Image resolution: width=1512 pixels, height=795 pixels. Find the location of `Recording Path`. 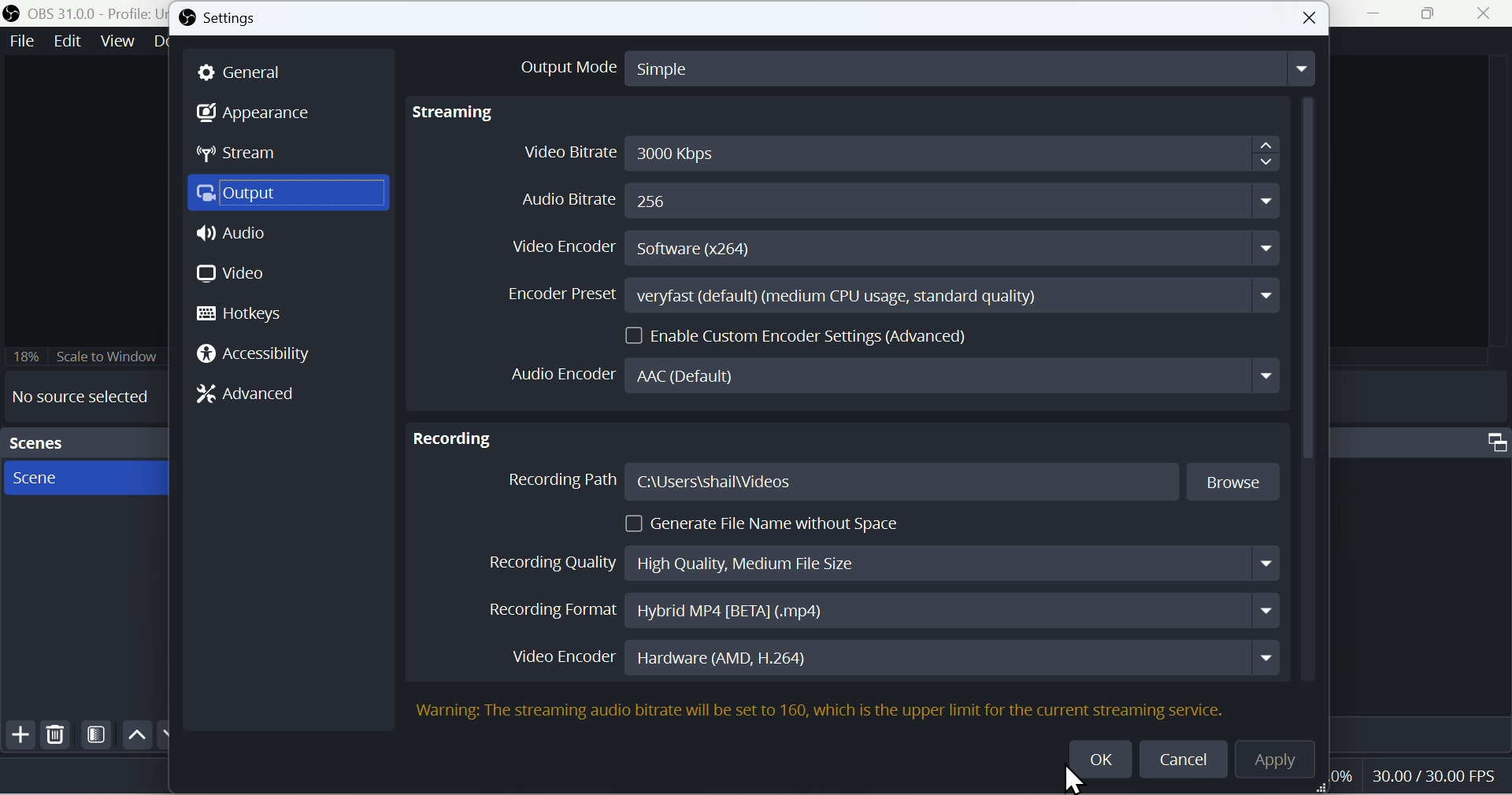

Recording Path is located at coordinates (894, 483).